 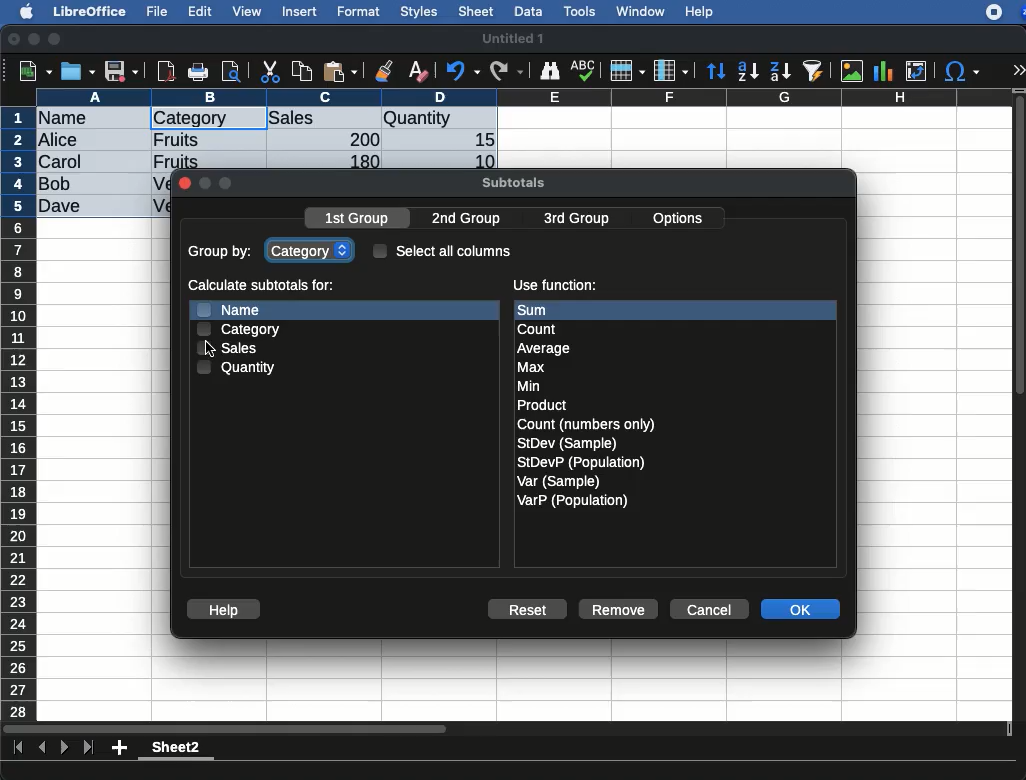 I want to click on last sheet, so click(x=88, y=748).